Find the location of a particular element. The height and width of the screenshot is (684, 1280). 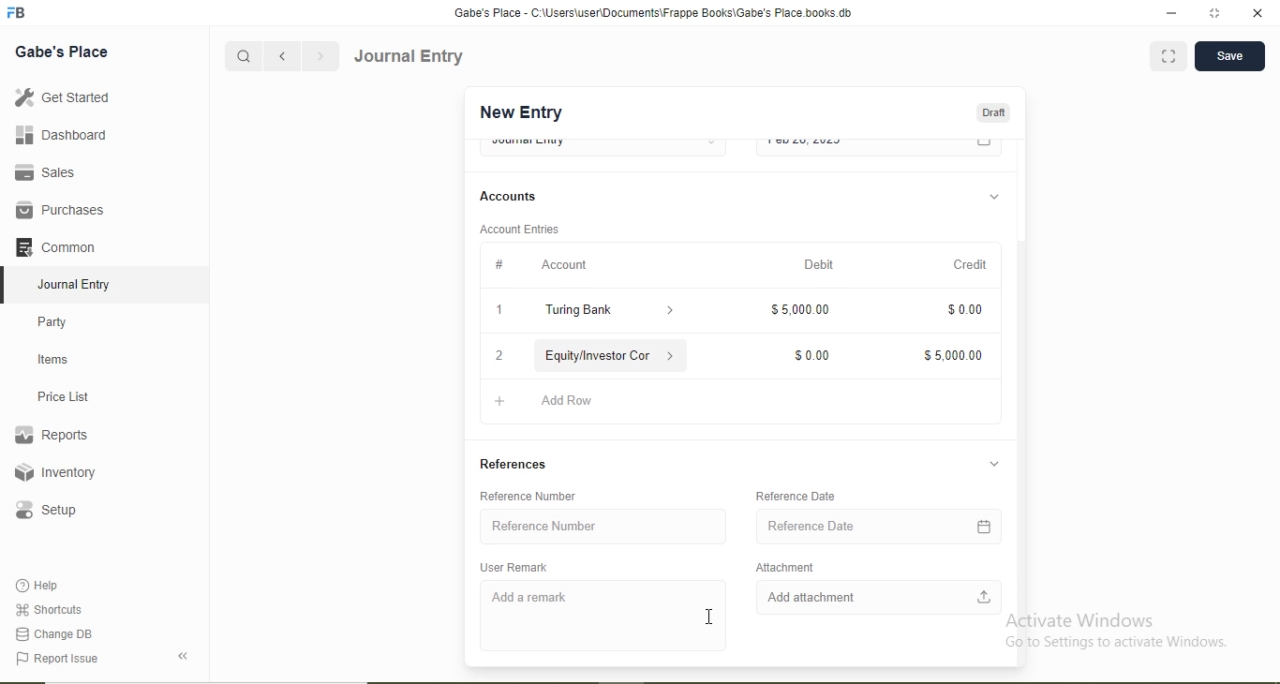

Party is located at coordinates (53, 324).